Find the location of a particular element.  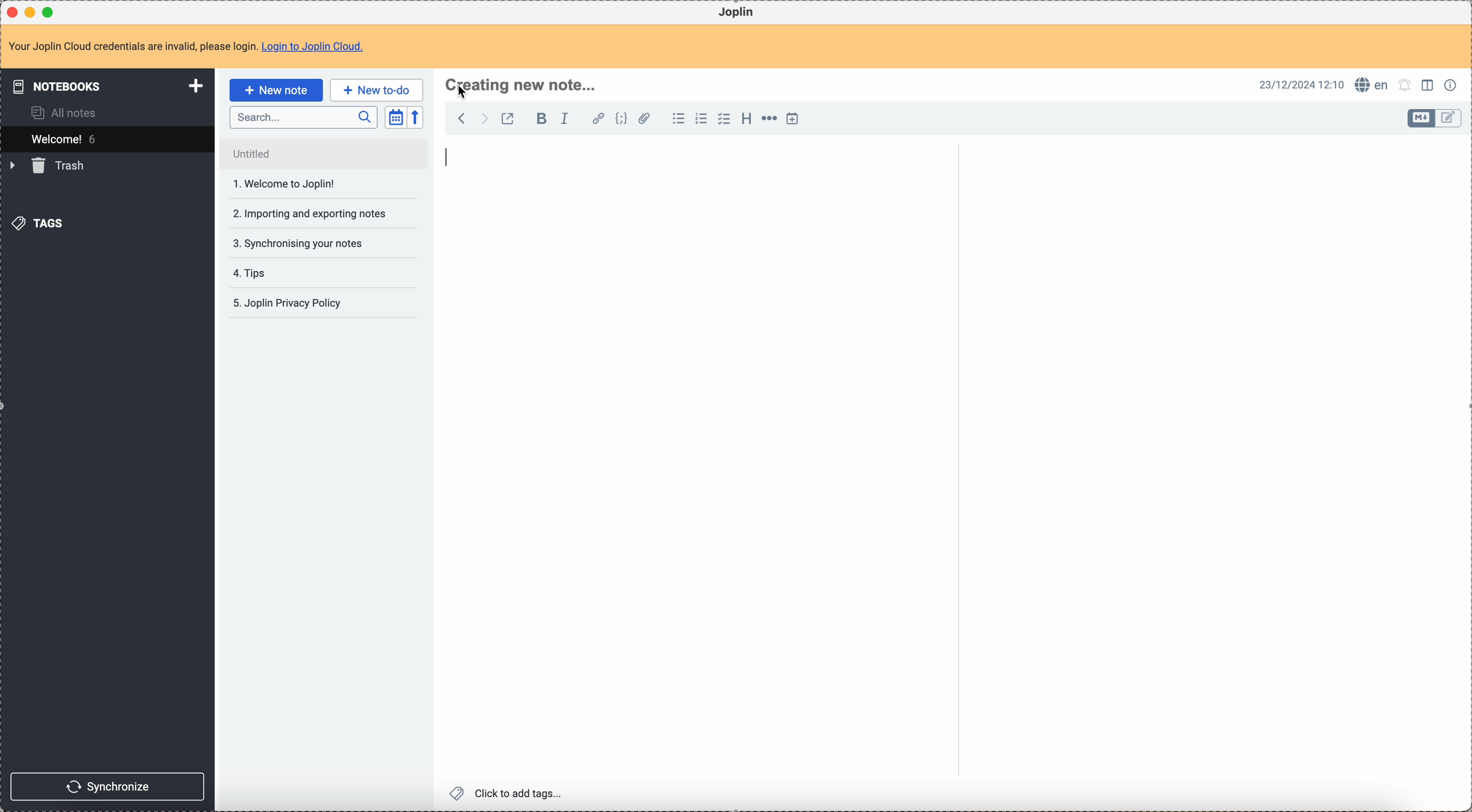

tags is located at coordinates (42, 223).